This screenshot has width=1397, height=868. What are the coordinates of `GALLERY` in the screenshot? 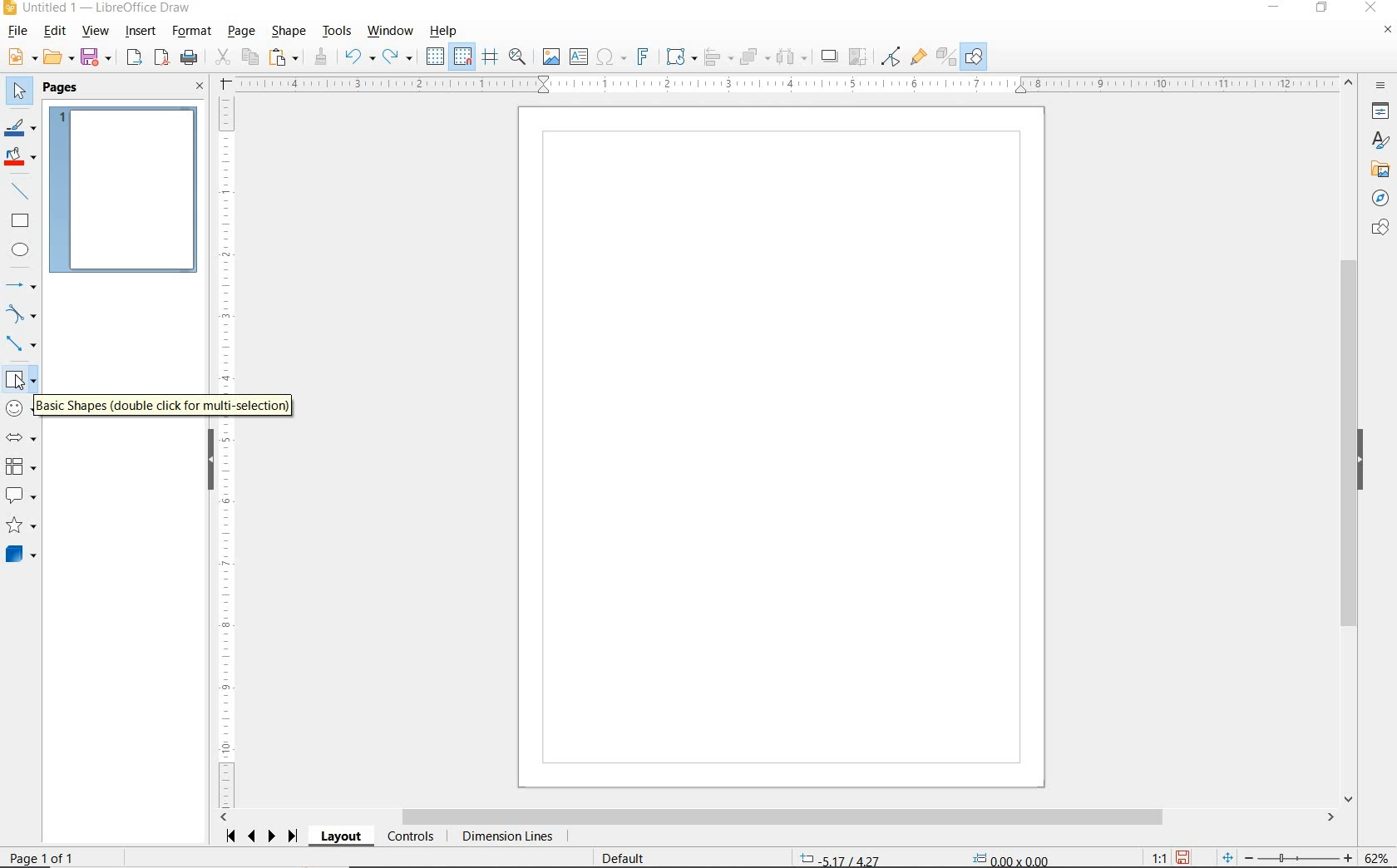 It's located at (1378, 168).